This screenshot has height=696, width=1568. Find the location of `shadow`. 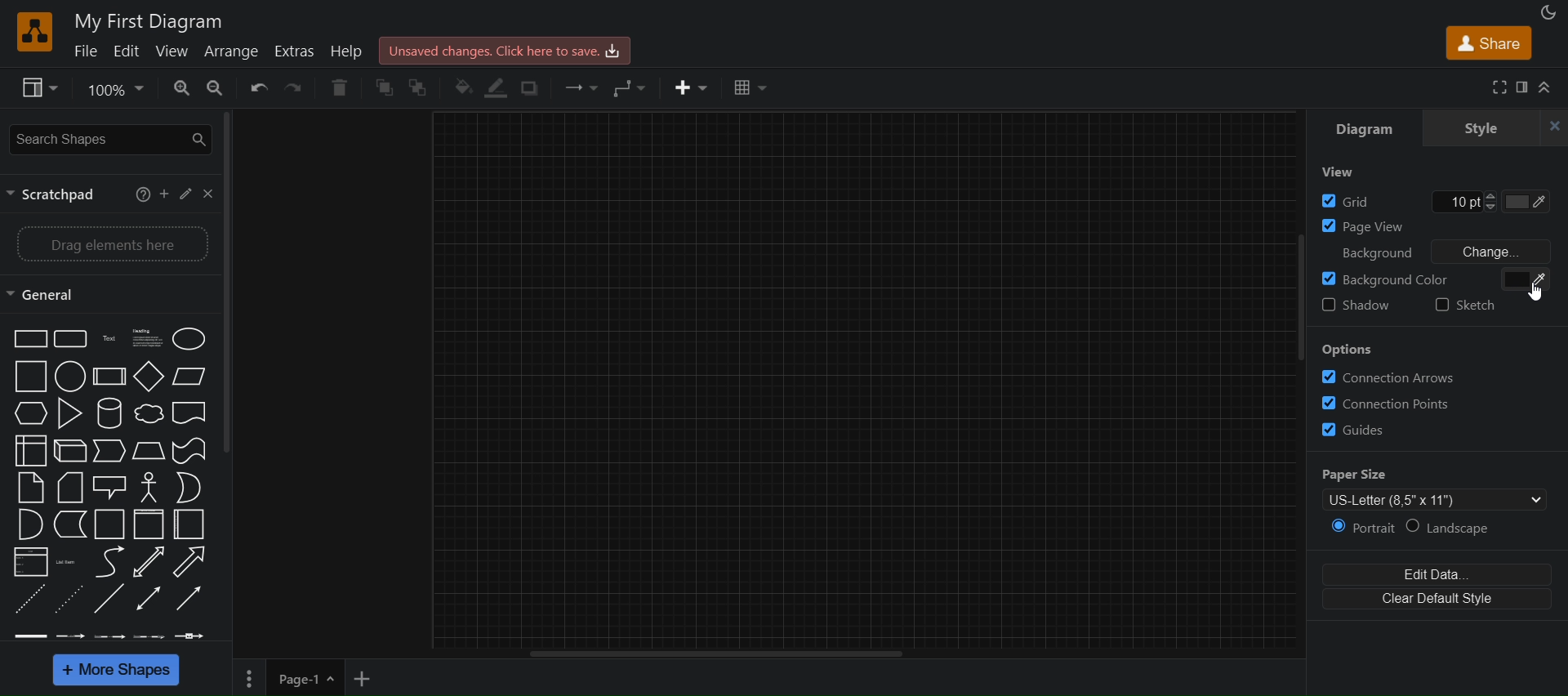

shadow is located at coordinates (1357, 307).